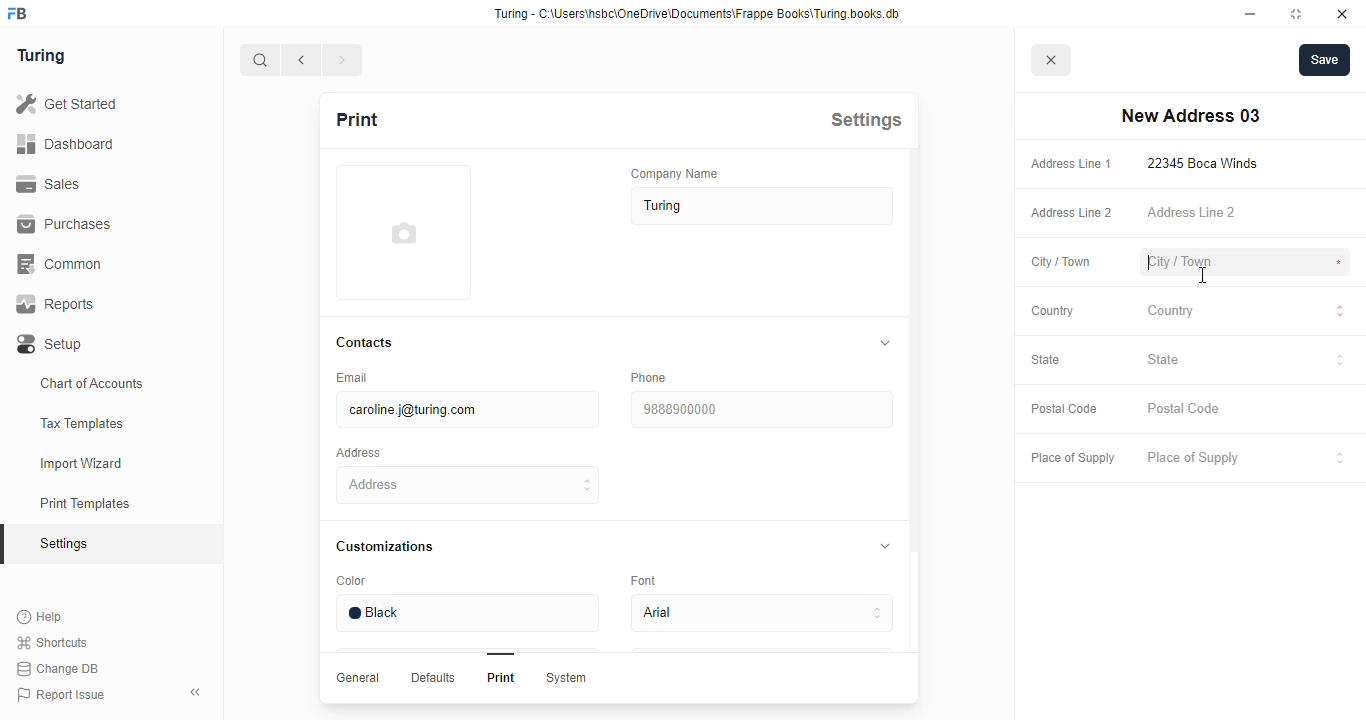 The height and width of the screenshot is (720, 1366). I want to click on 9888900000, so click(760, 410).